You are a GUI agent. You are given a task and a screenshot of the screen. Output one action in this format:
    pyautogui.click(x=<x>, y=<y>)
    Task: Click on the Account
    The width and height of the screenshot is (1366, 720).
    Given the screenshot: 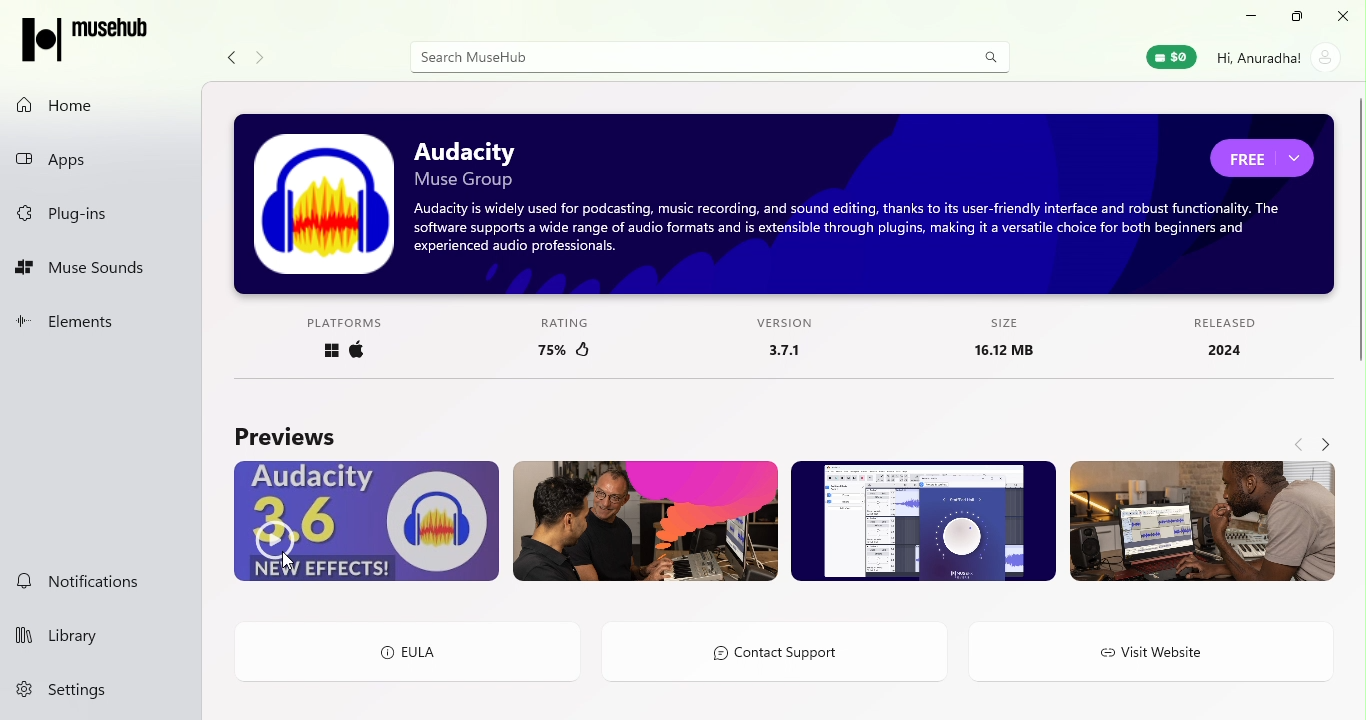 What is the action you would take?
    pyautogui.click(x=1275, y=60)
    